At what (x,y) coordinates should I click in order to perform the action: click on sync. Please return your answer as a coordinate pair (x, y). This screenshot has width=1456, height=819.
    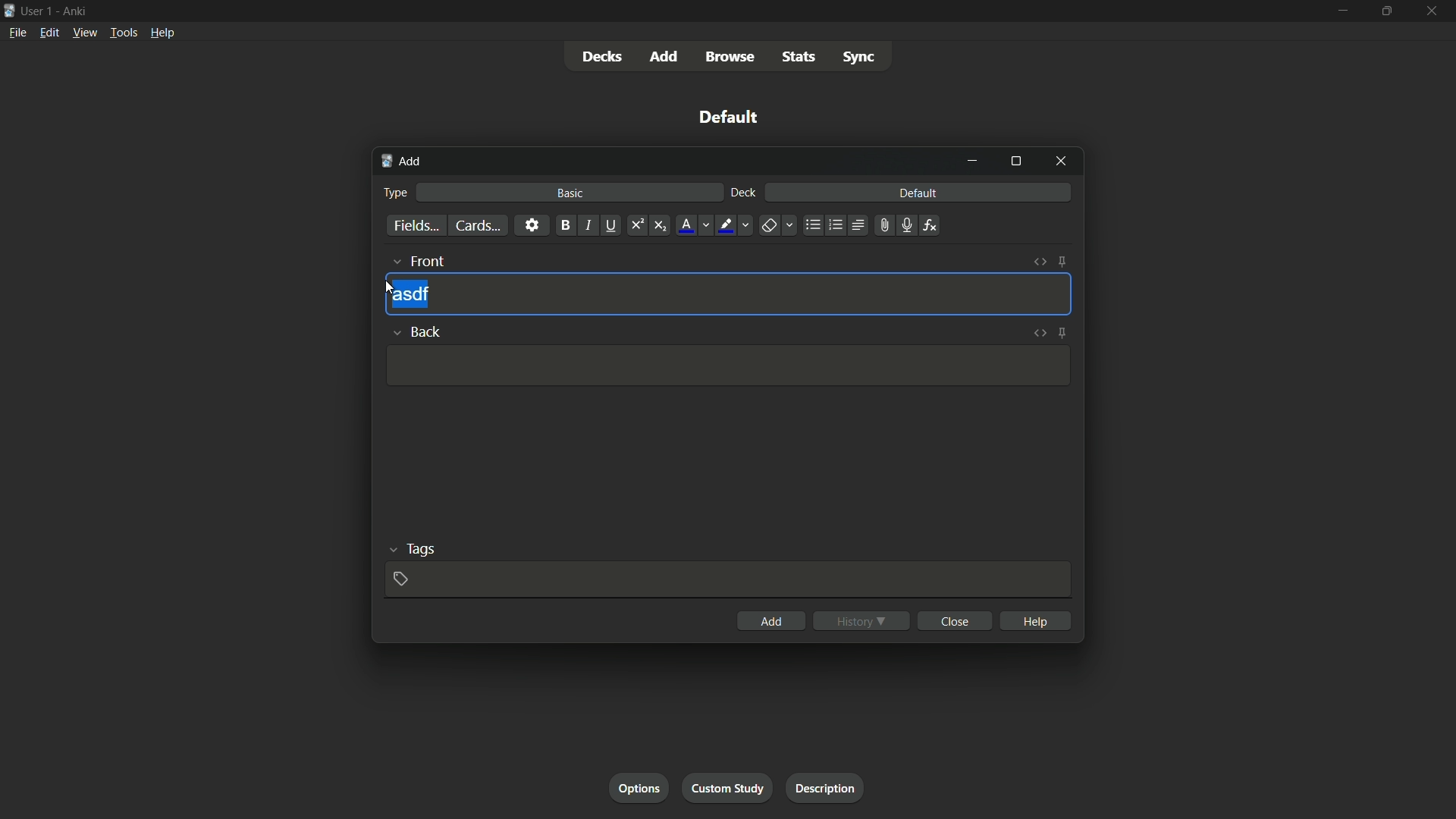
    Looking at the image, I should click on (859, 57).